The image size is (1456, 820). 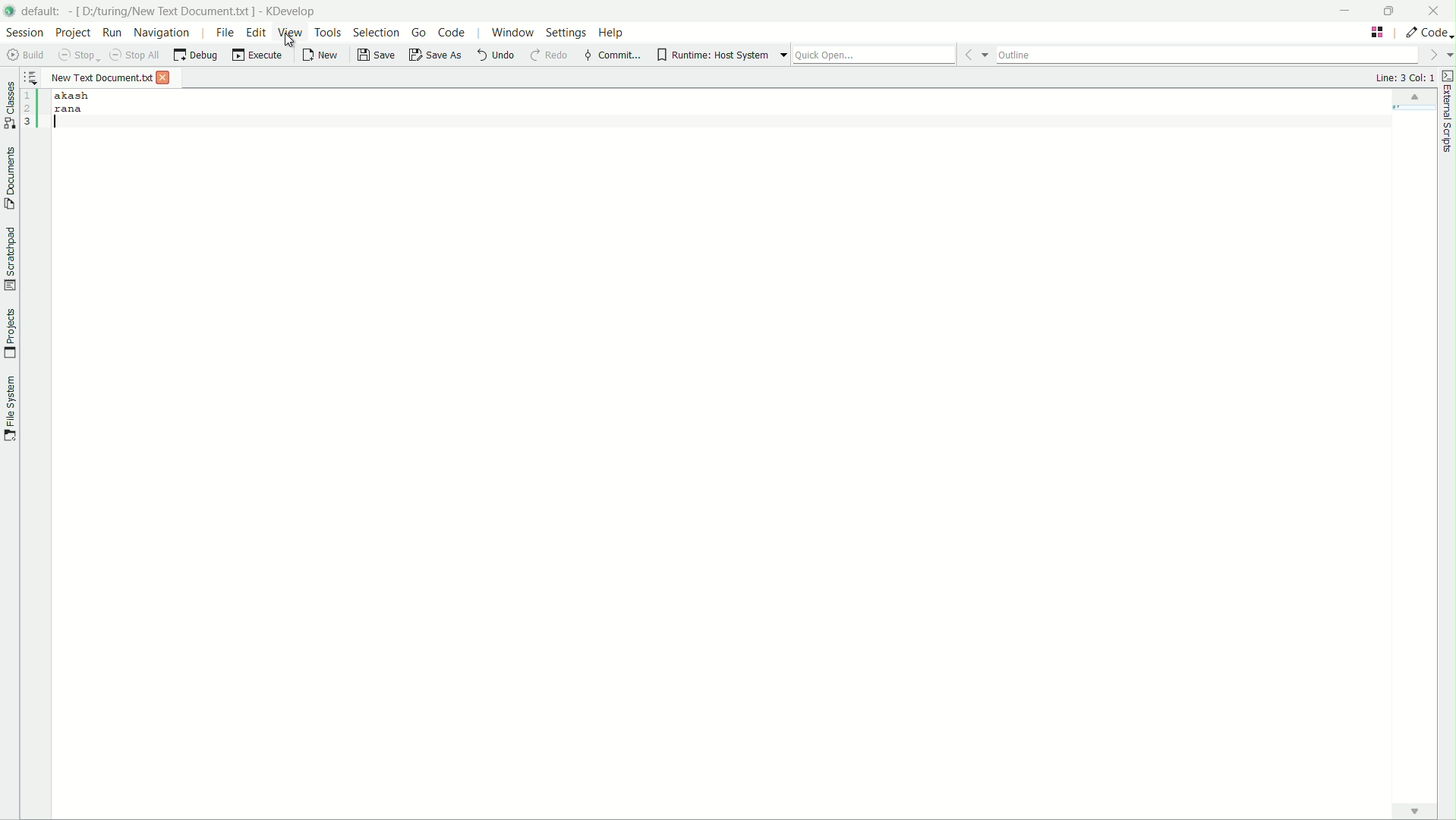 What do you see at coordinates (741, 445) in the screenshot?
I see `akash rana` at bounding box center [741, 445].